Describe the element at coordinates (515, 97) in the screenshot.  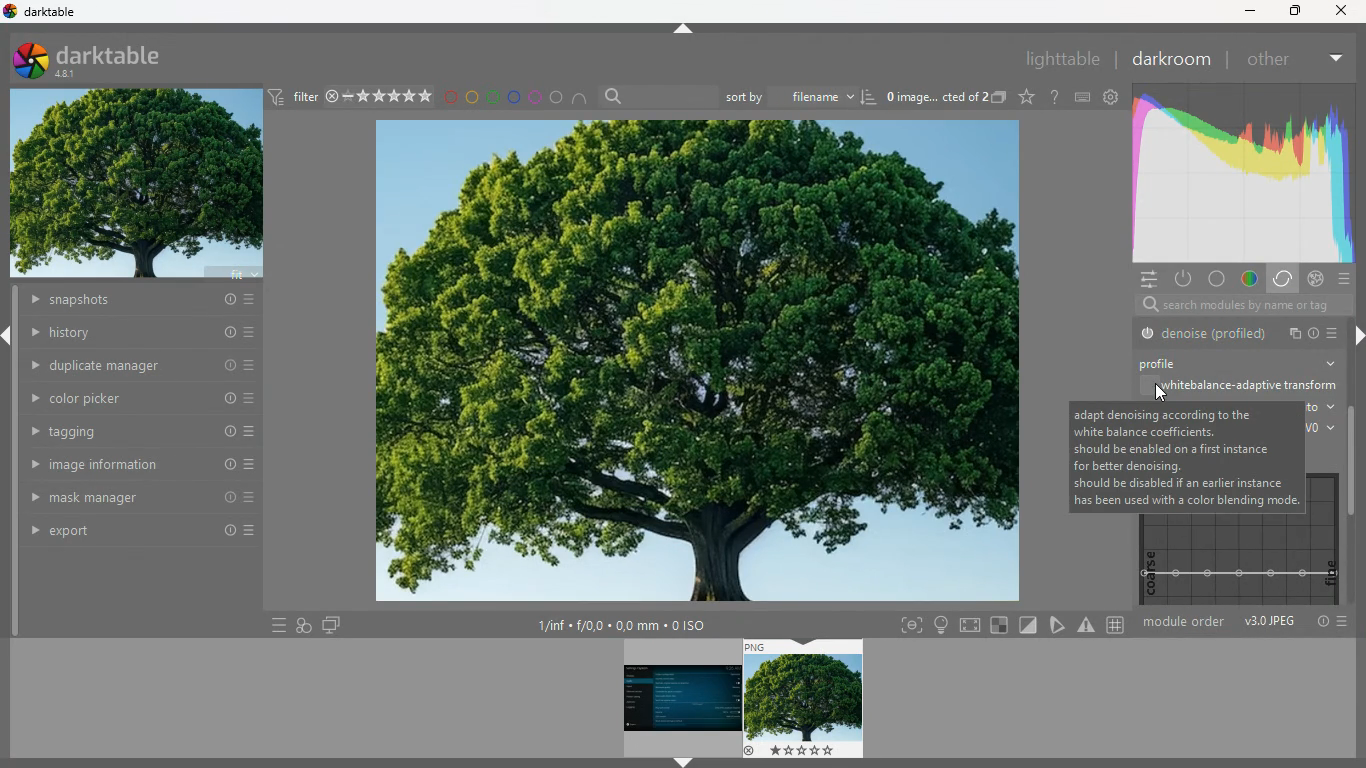
I see `blue` at that location.